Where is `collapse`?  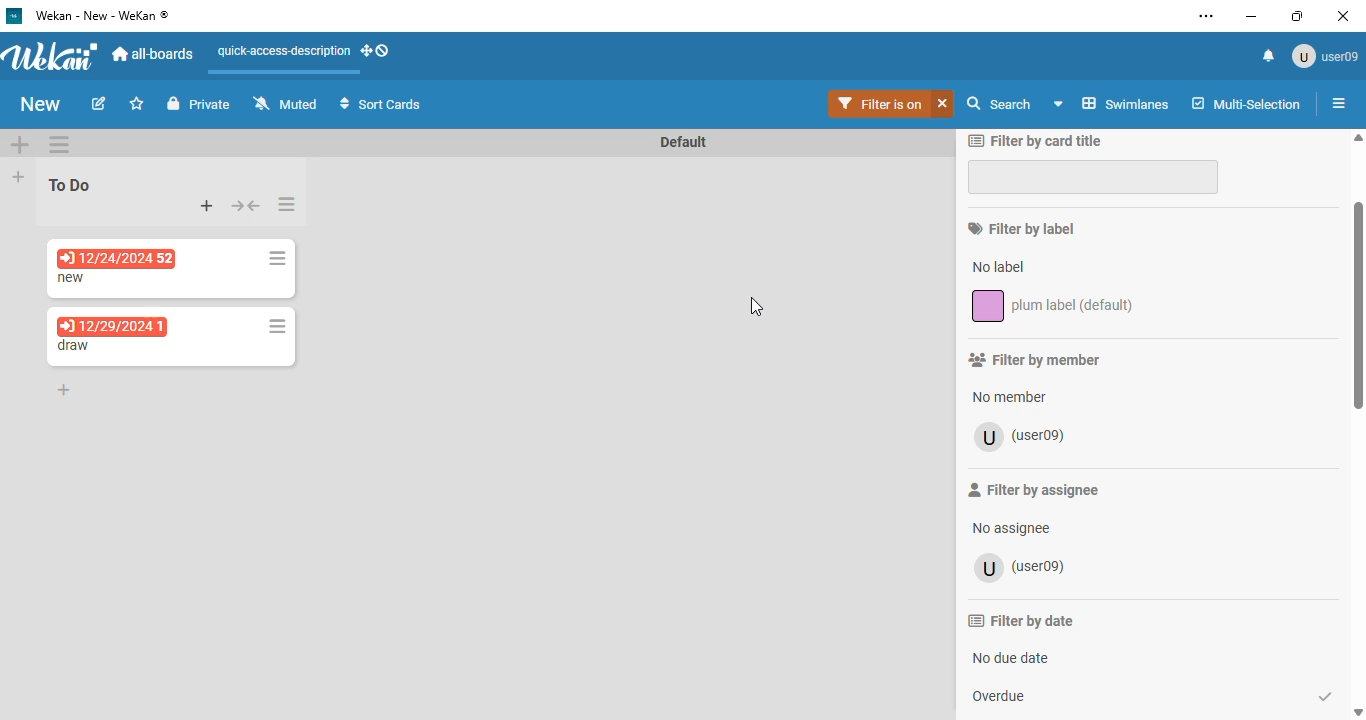
collapse is located at coordinates (246, 206).